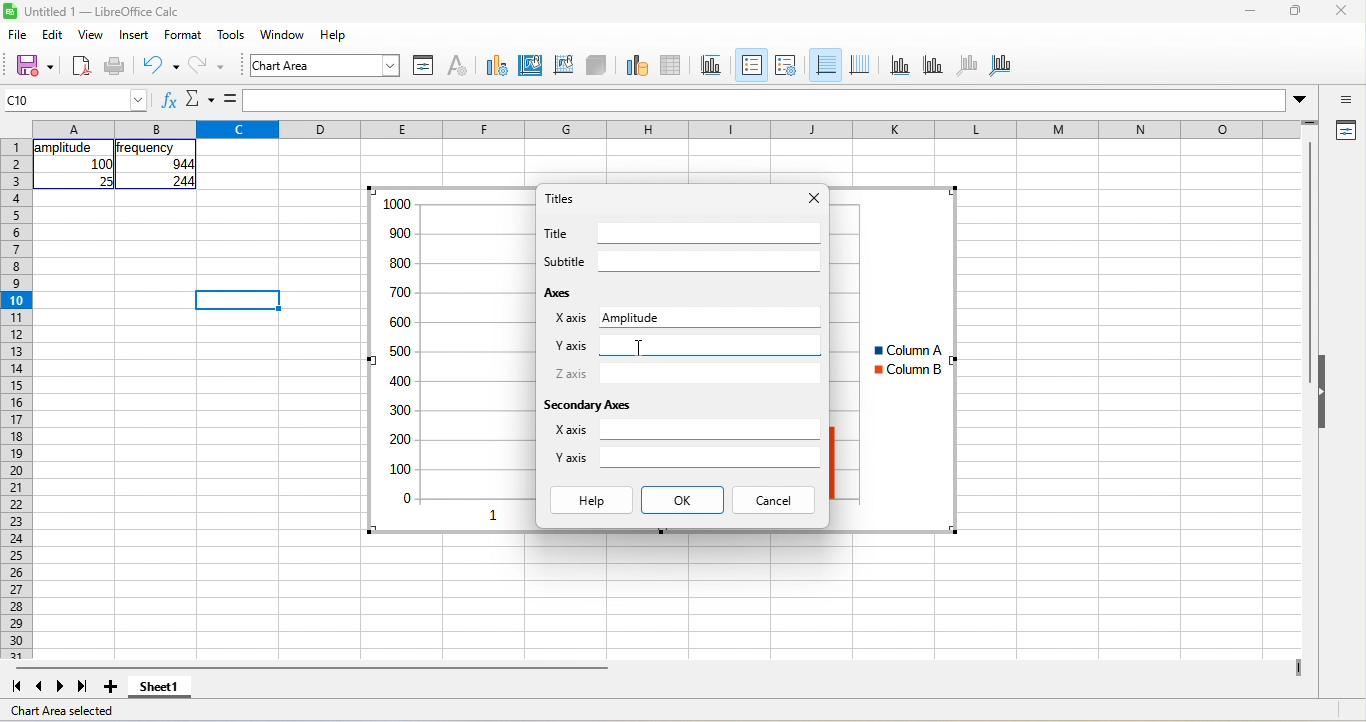 This screenshot has width=1366, height=722. What do you see at coordinates (666, 129) in the screenshot?
I see `column headings` at bounding box center [666, 129].